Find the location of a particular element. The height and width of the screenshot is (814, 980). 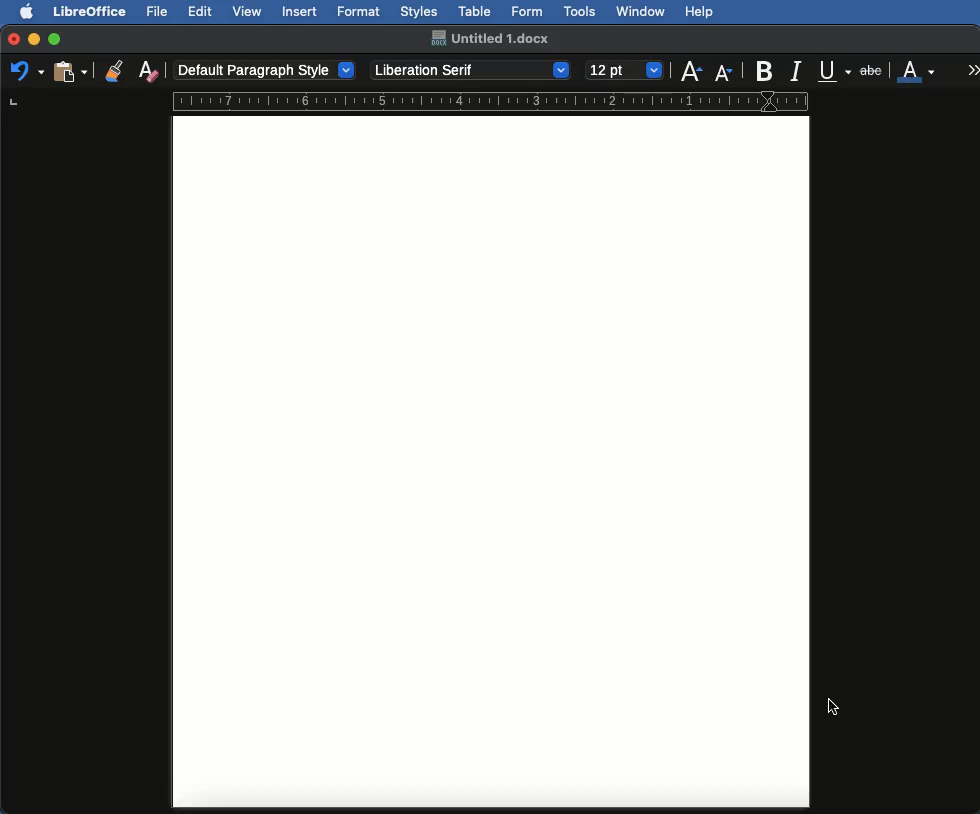

Name is located at coordinates (489, 38).